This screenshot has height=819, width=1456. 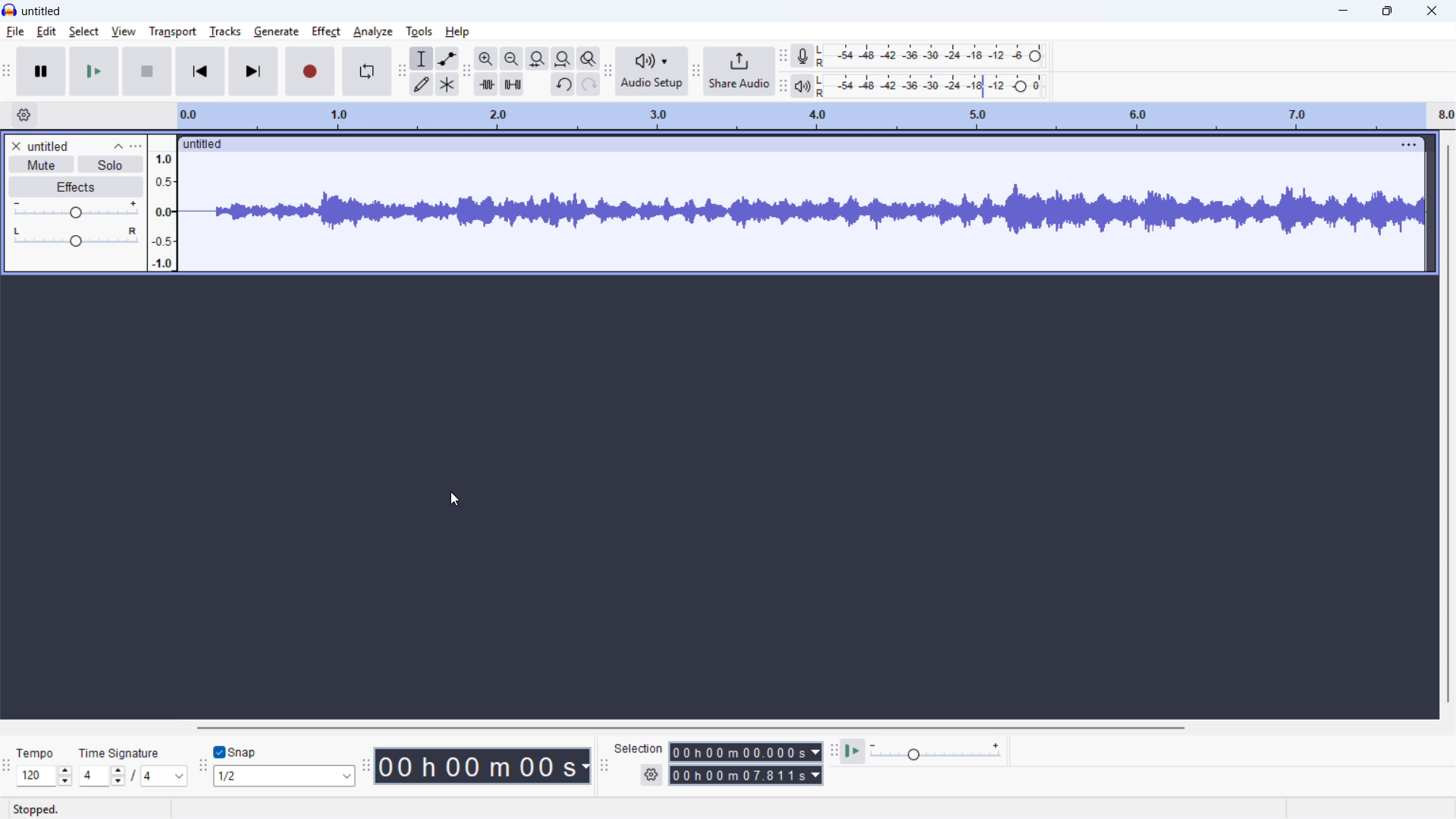 I want to click on minimise , so click(x=1341, y=12).